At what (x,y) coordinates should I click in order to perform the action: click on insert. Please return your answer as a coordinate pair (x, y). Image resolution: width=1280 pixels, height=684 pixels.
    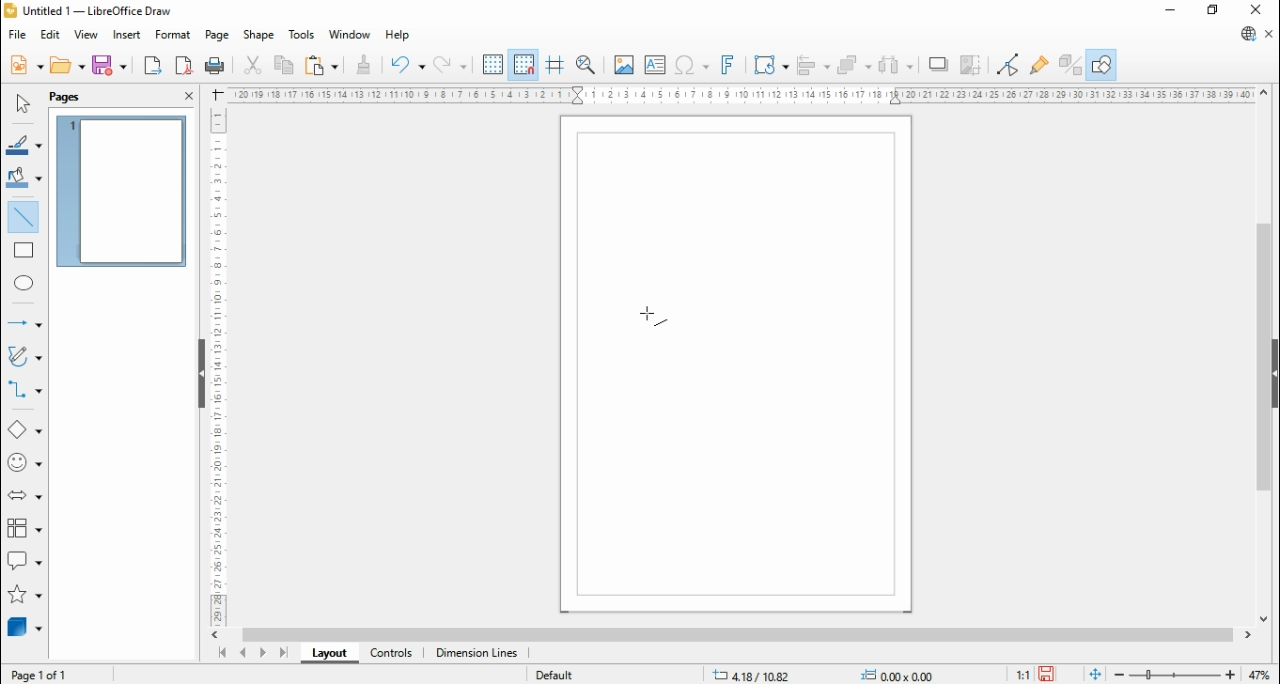
    Looking at the image, I should click on (126, 35).